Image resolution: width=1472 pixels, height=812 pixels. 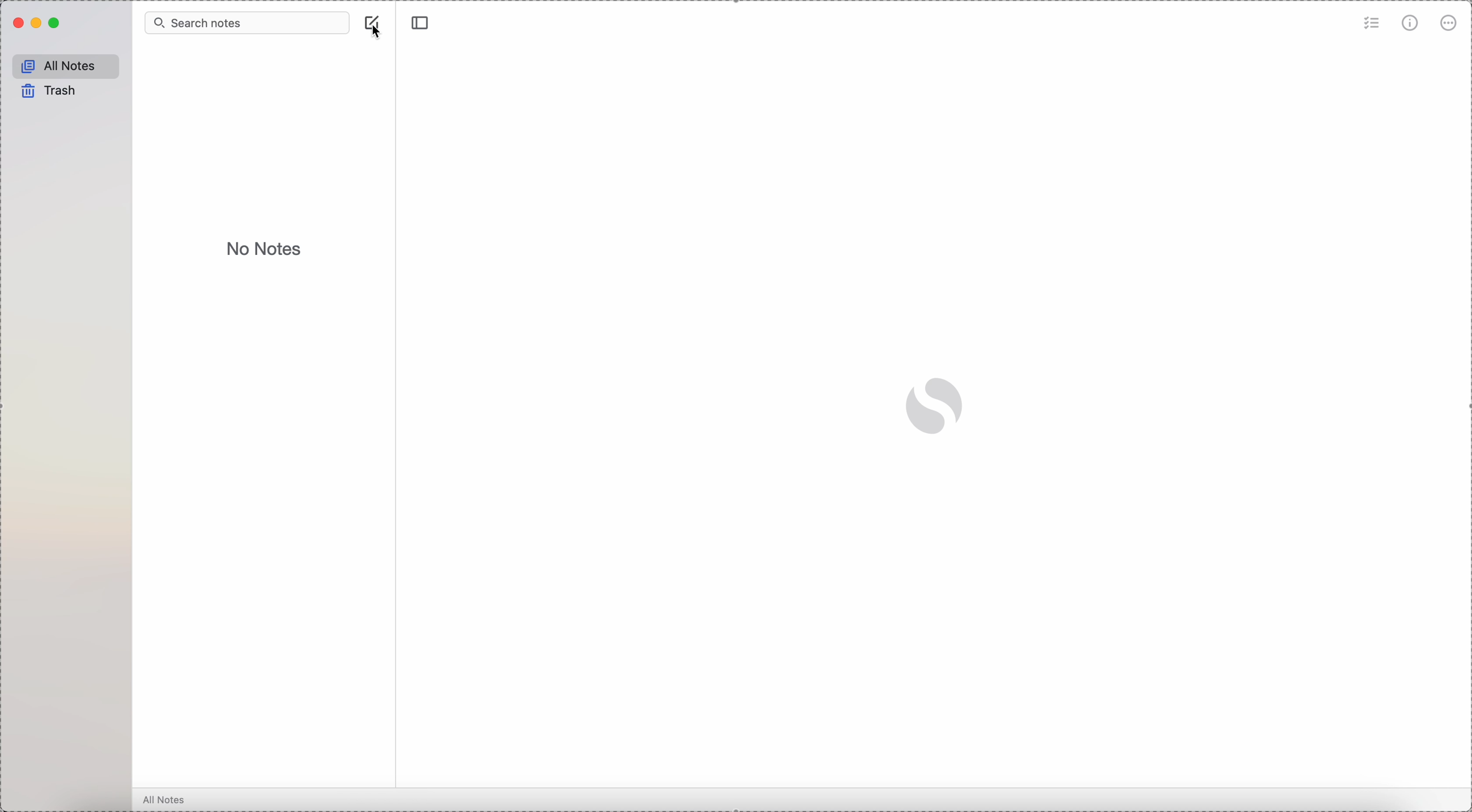 What do you see at coordinates (264, 249) in the screenshot?
I see `no notes` at bounding box center [264, 249].